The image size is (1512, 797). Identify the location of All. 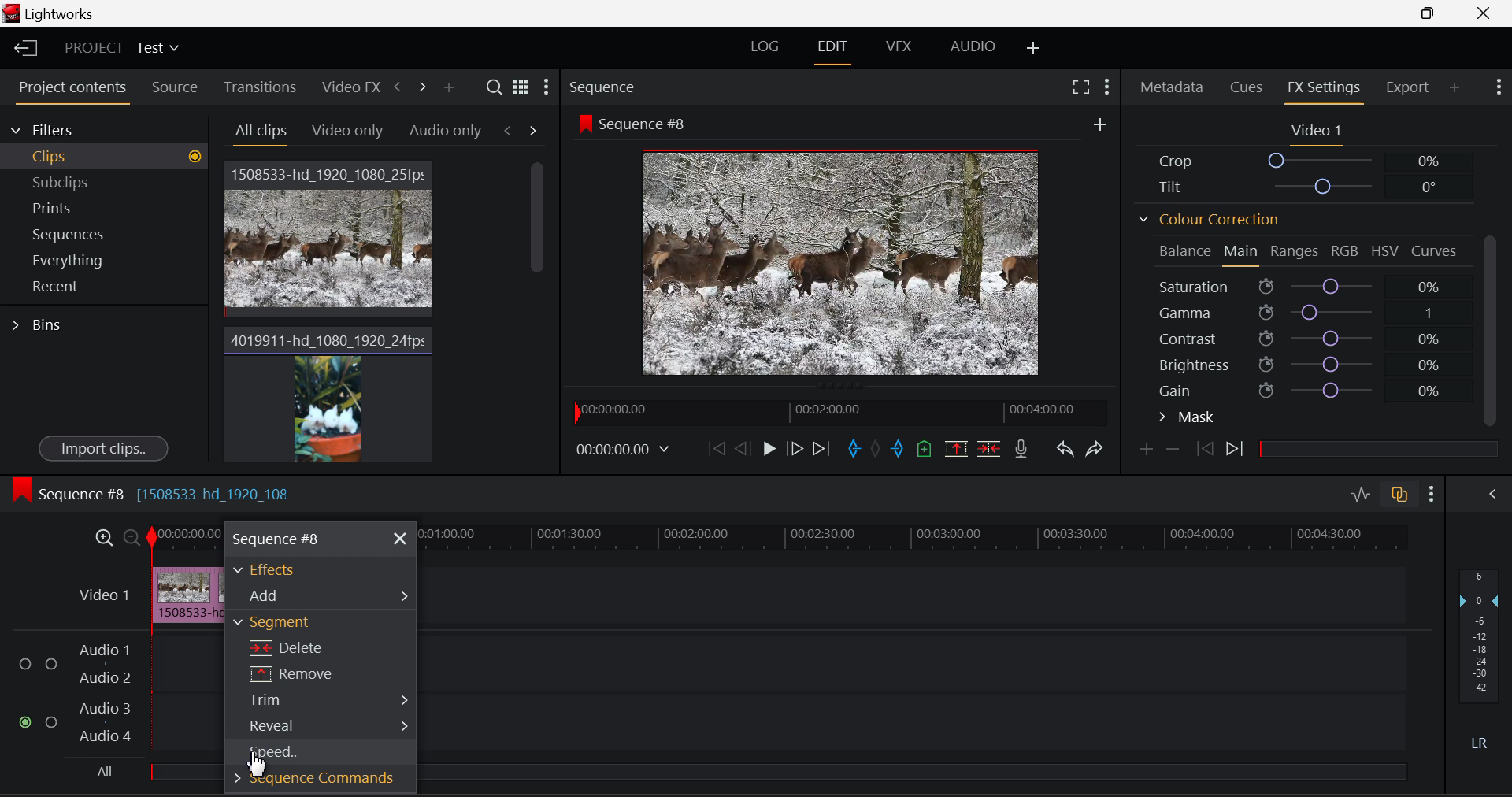
(110, 773).